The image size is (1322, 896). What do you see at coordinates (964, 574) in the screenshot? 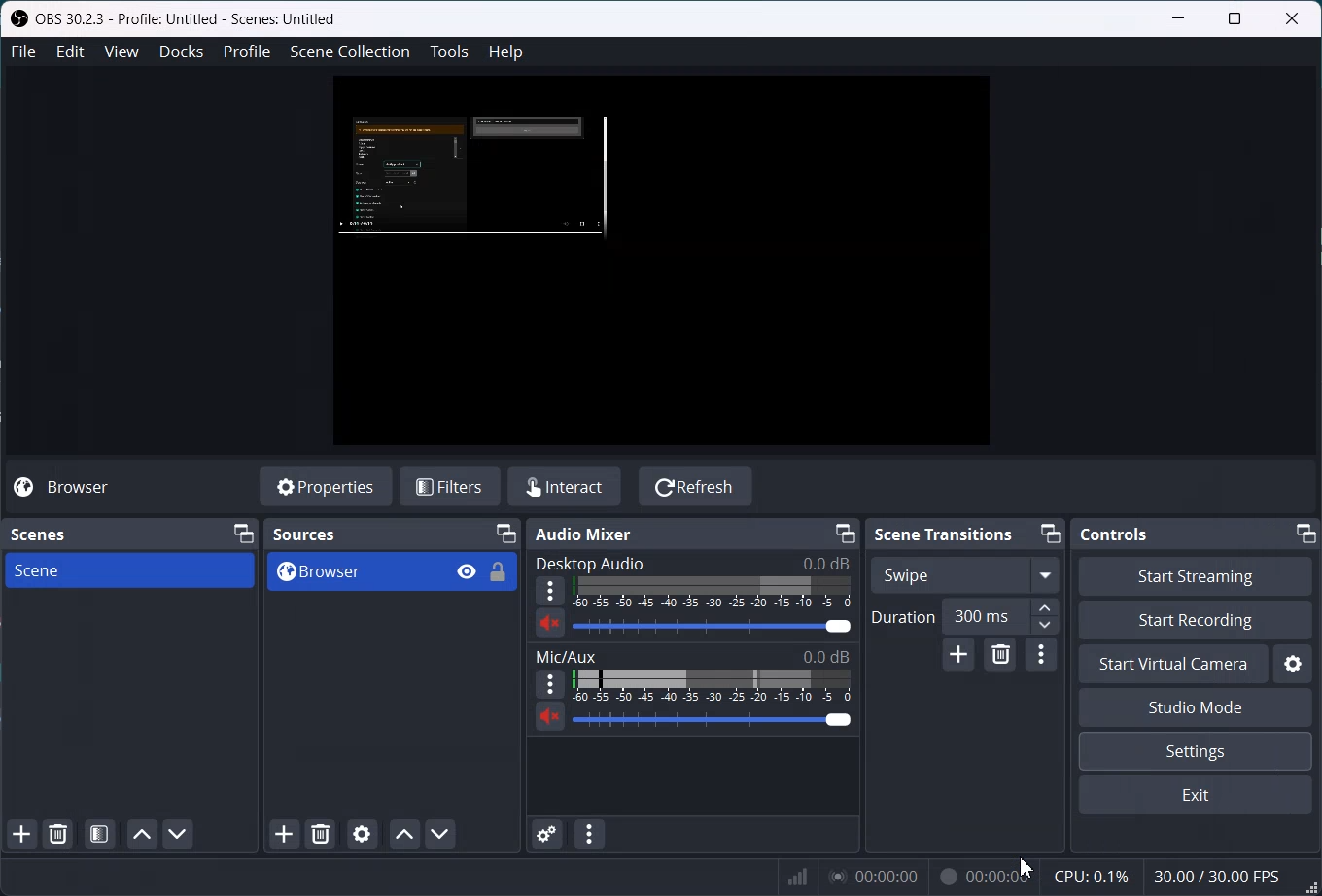
I see `Swipe` at bounding box center [964, 574].